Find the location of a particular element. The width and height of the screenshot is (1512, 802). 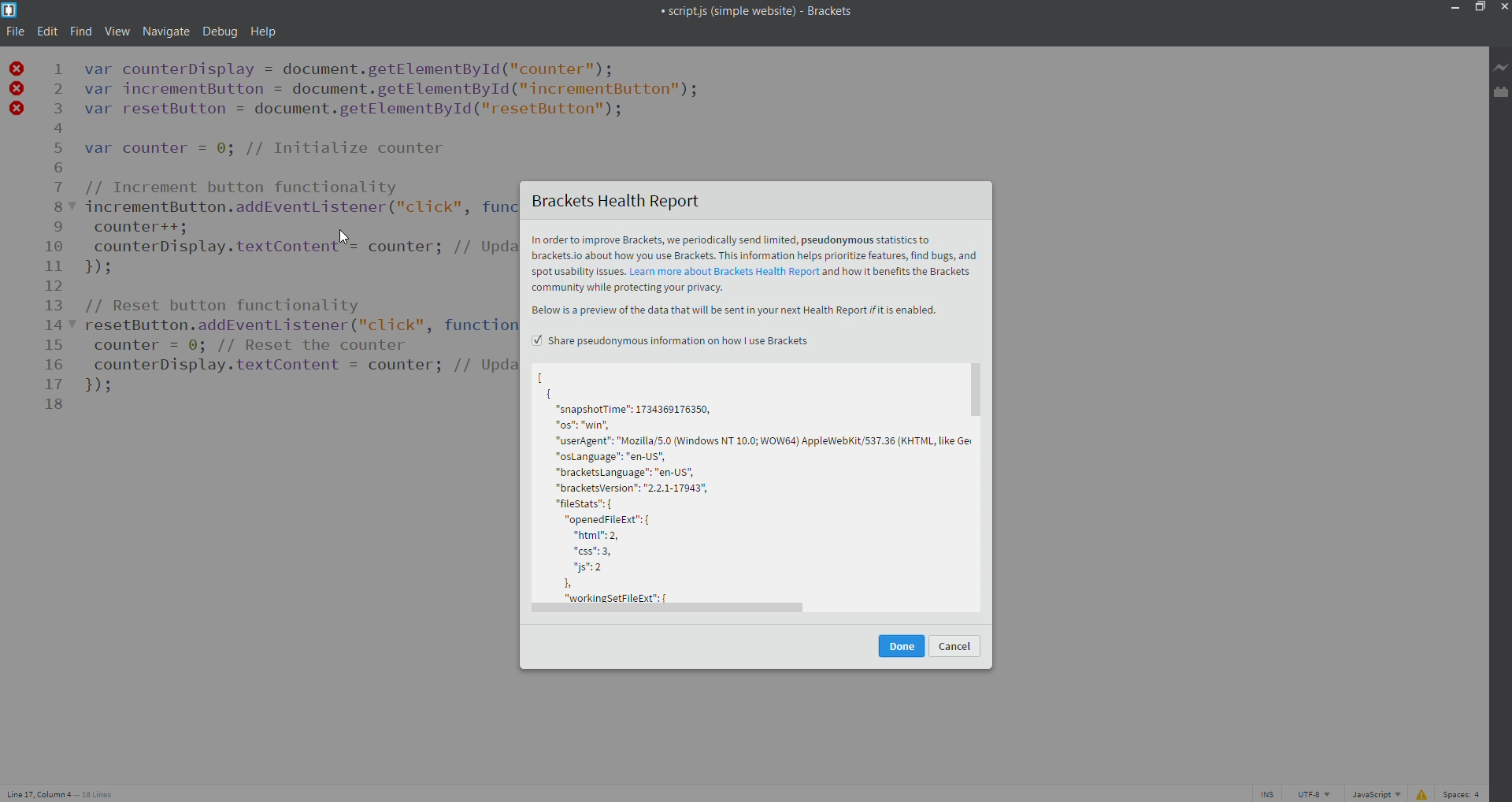

line number is located at coordinates (61, 234).